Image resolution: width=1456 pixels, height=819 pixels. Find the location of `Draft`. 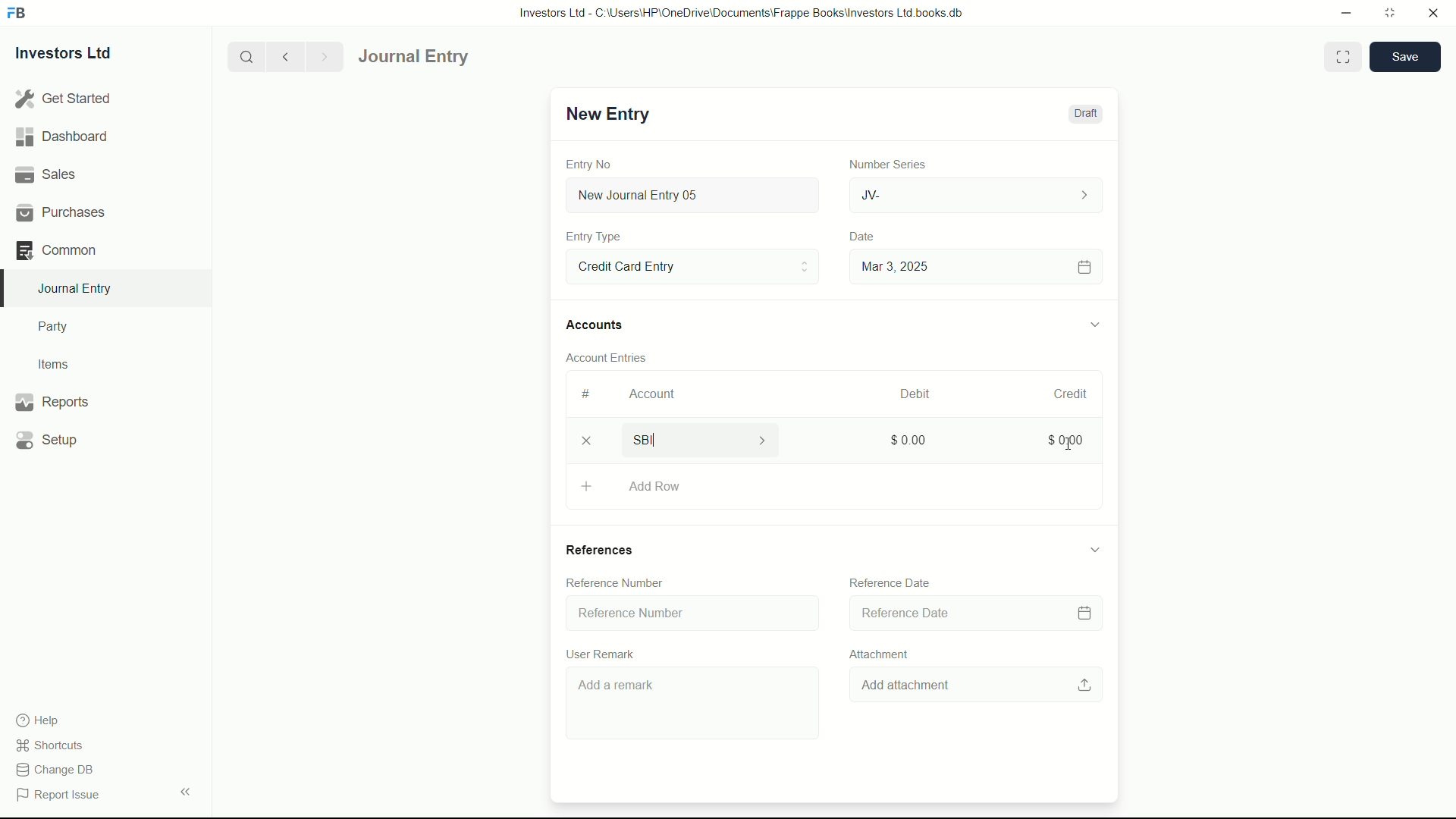

Draft is located at coordinates (1084, 114).